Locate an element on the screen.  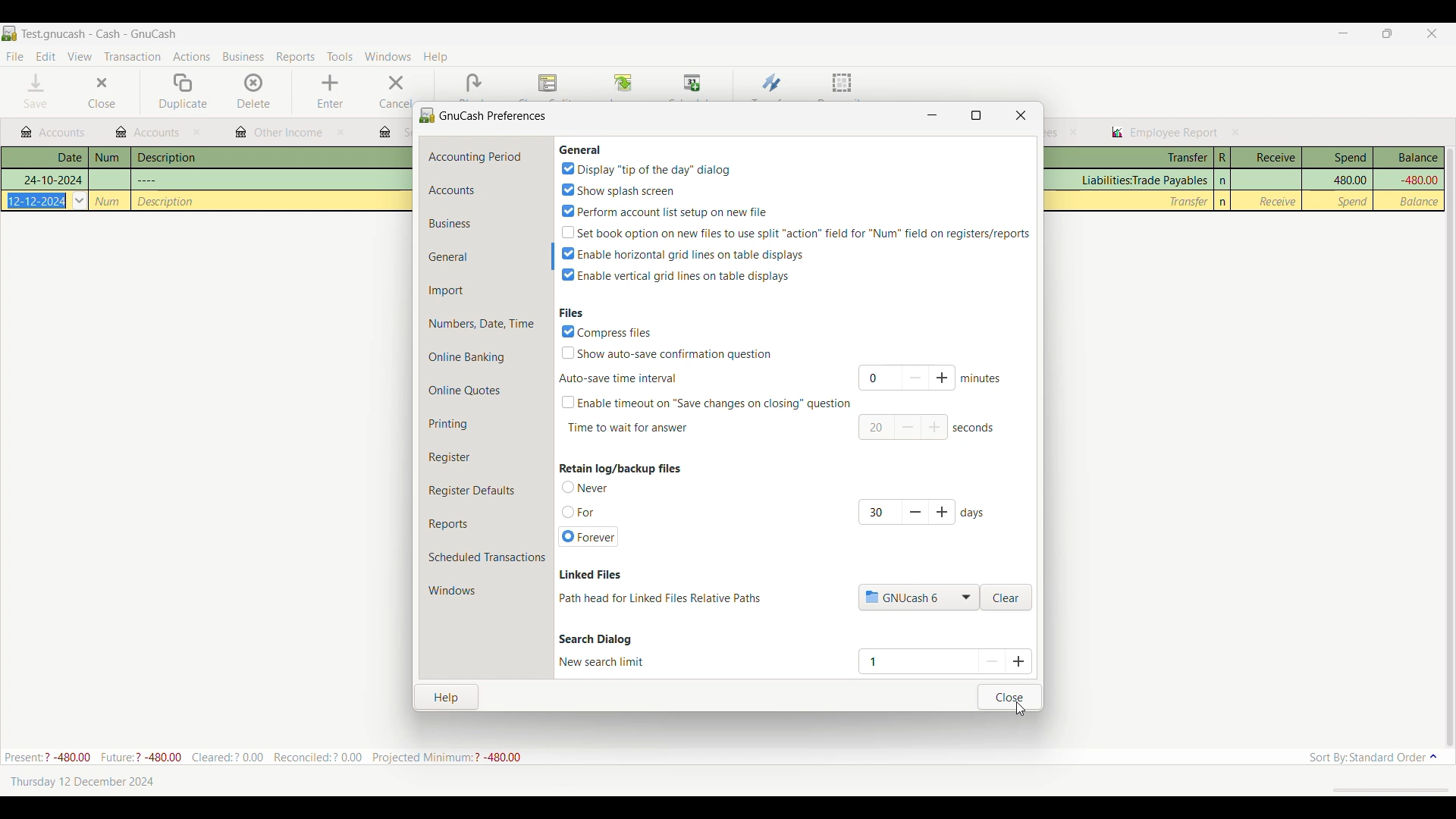
Delete is located at coordinates (255, 91).